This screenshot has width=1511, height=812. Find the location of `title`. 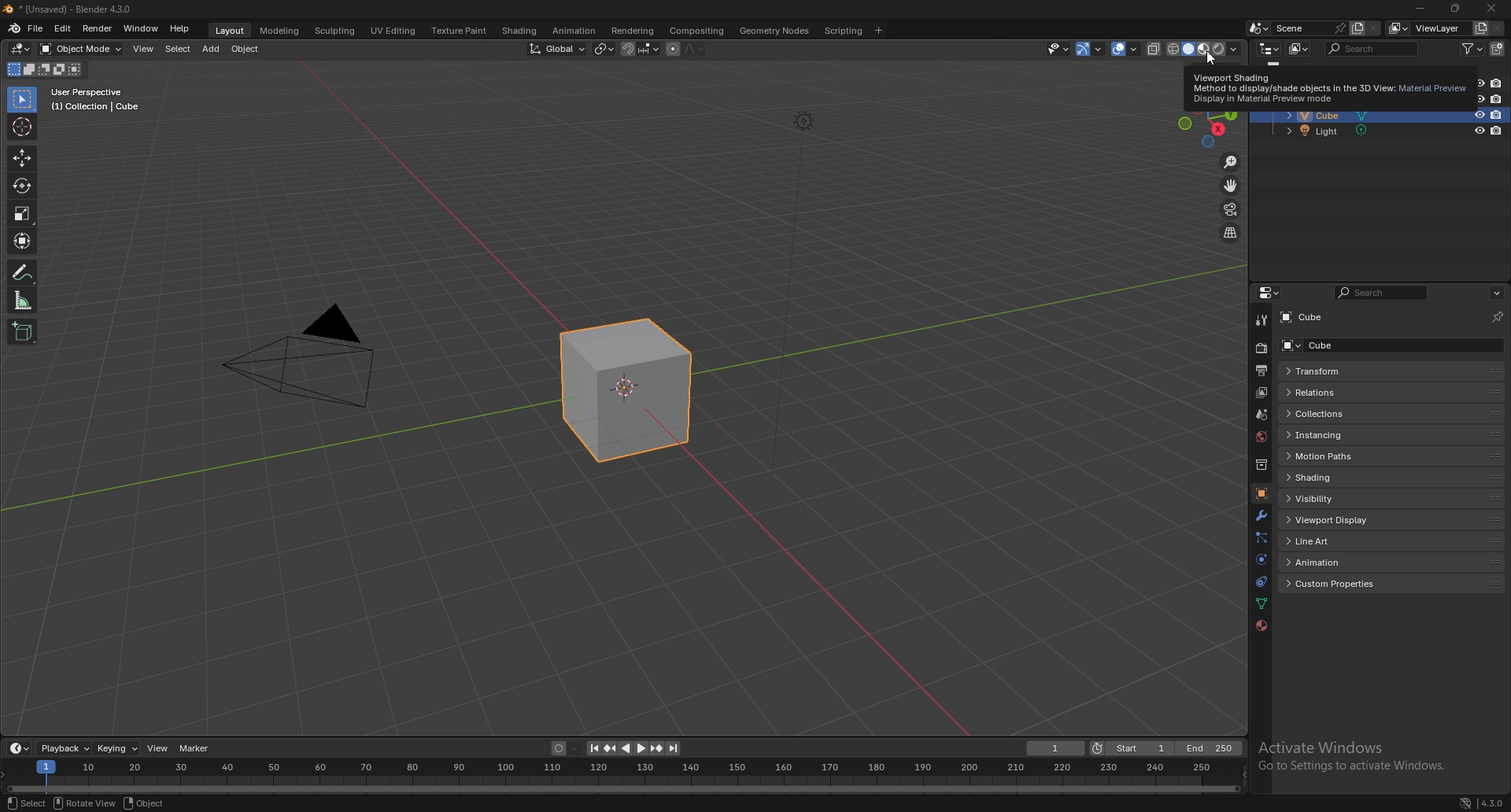

title is located at coordinates (72, 9).